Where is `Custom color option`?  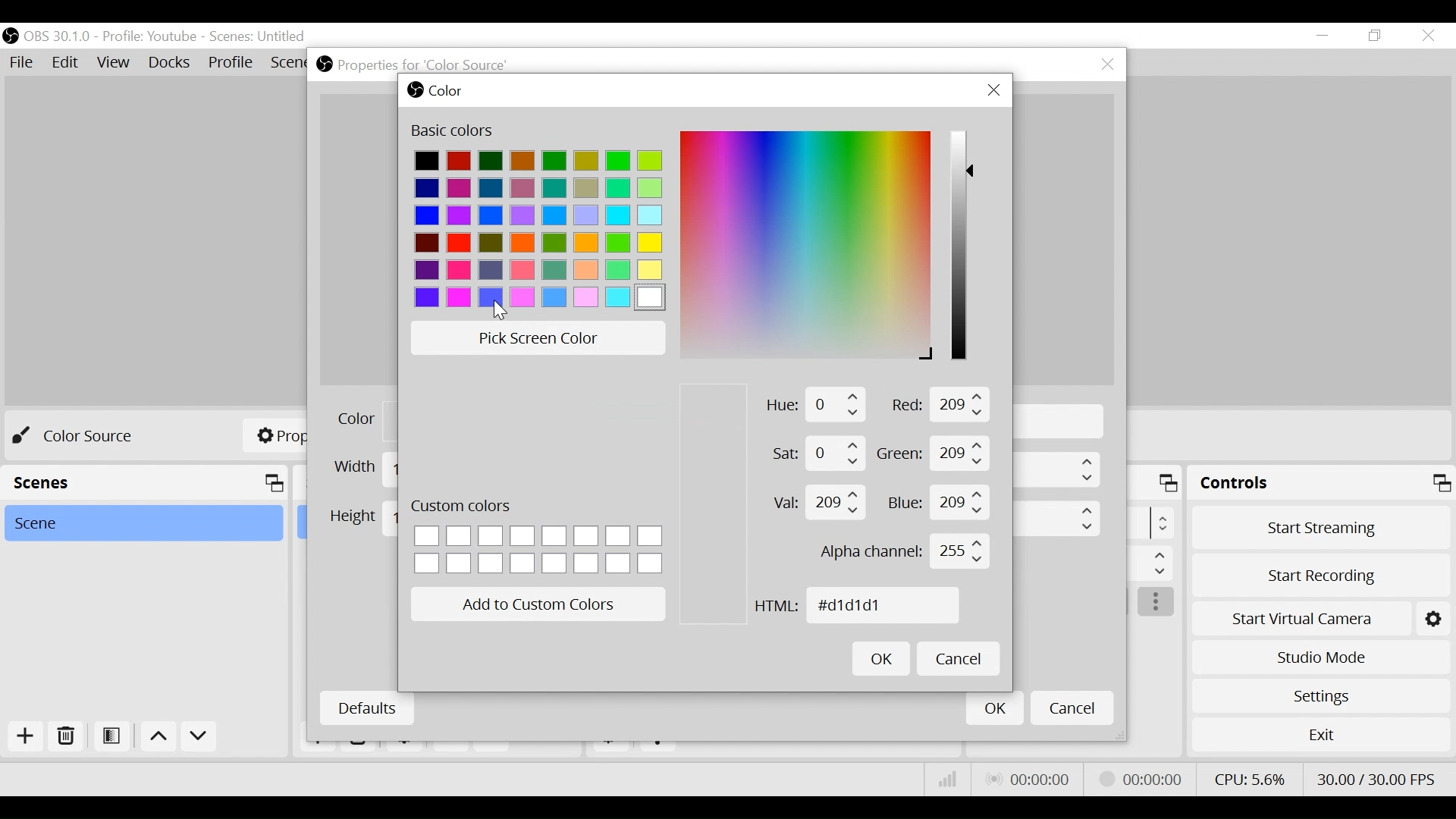
Custom color option is located at coordinates (536, 549).